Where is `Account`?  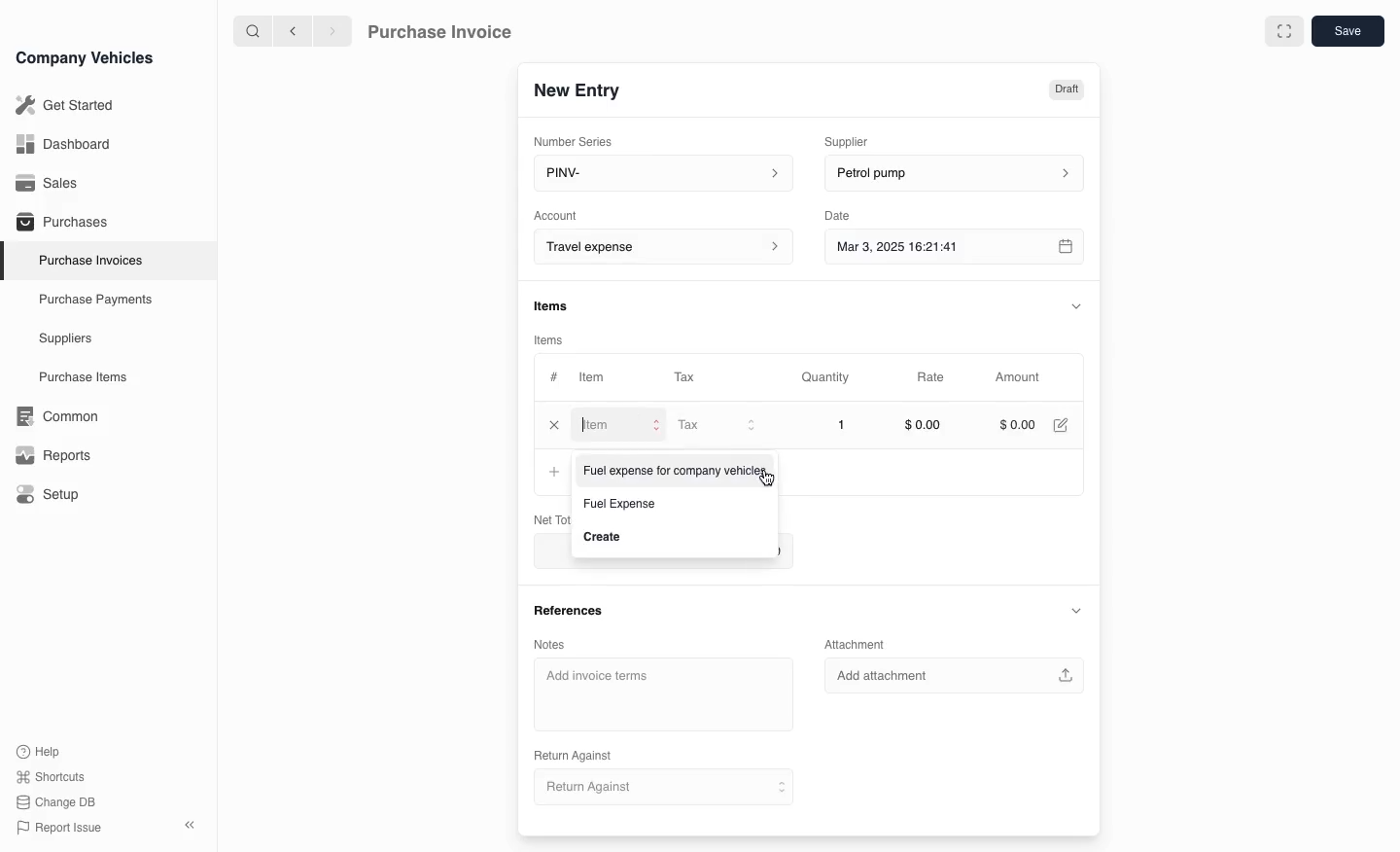 Account is located at coordinates (556, 214).